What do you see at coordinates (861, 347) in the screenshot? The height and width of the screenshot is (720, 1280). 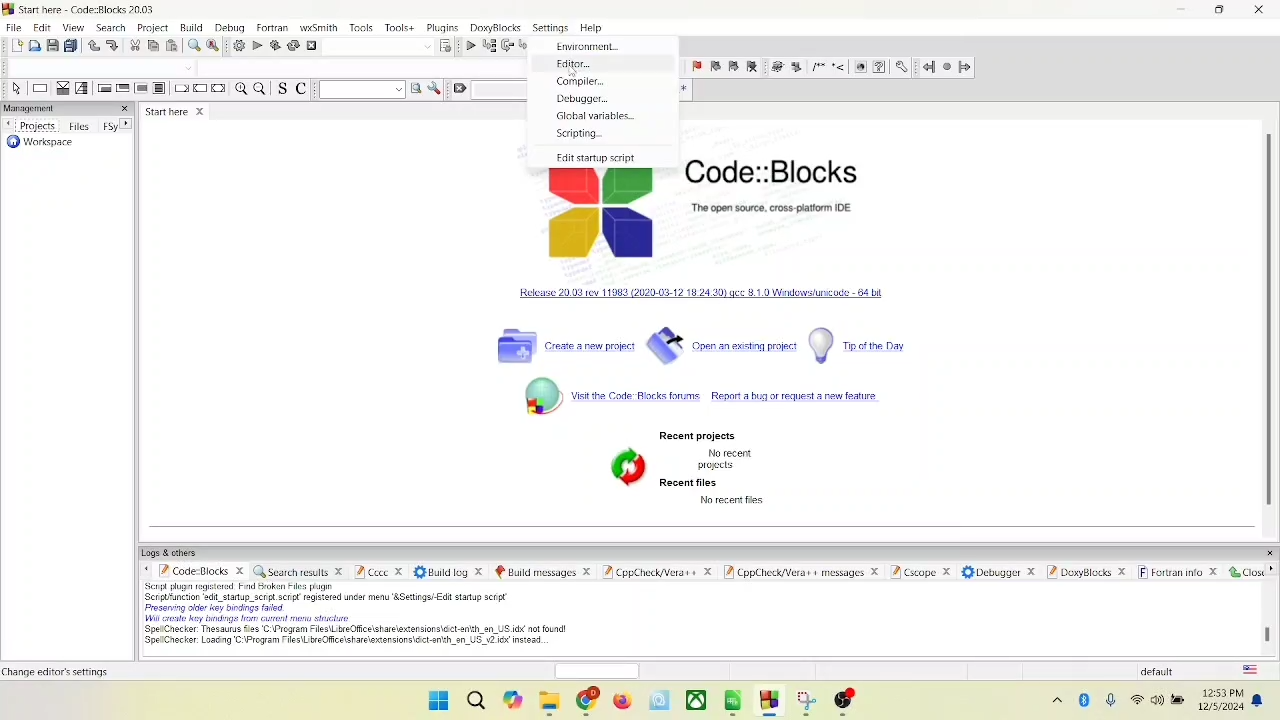 I see `tip of the day` at bounding box center [861, 347].